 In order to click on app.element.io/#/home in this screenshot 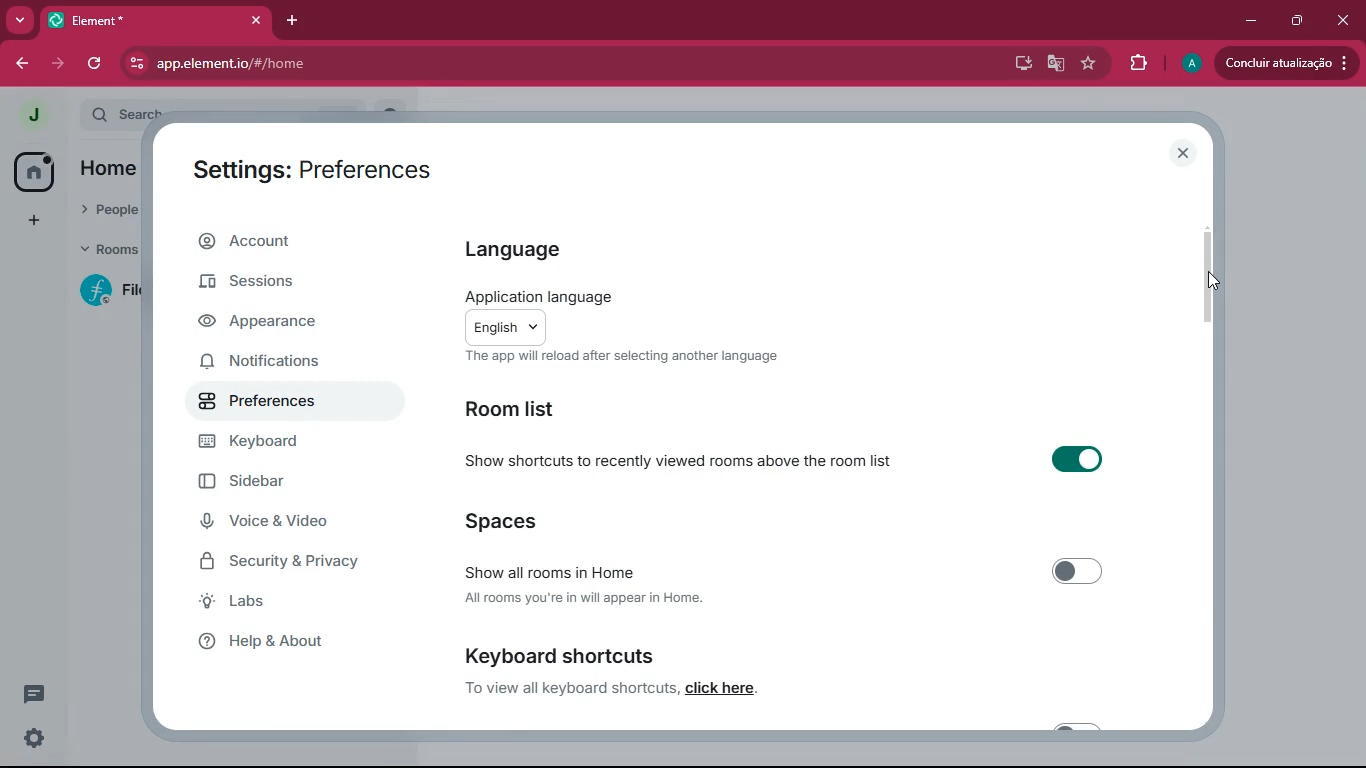, I will do `click(318, 63)`.